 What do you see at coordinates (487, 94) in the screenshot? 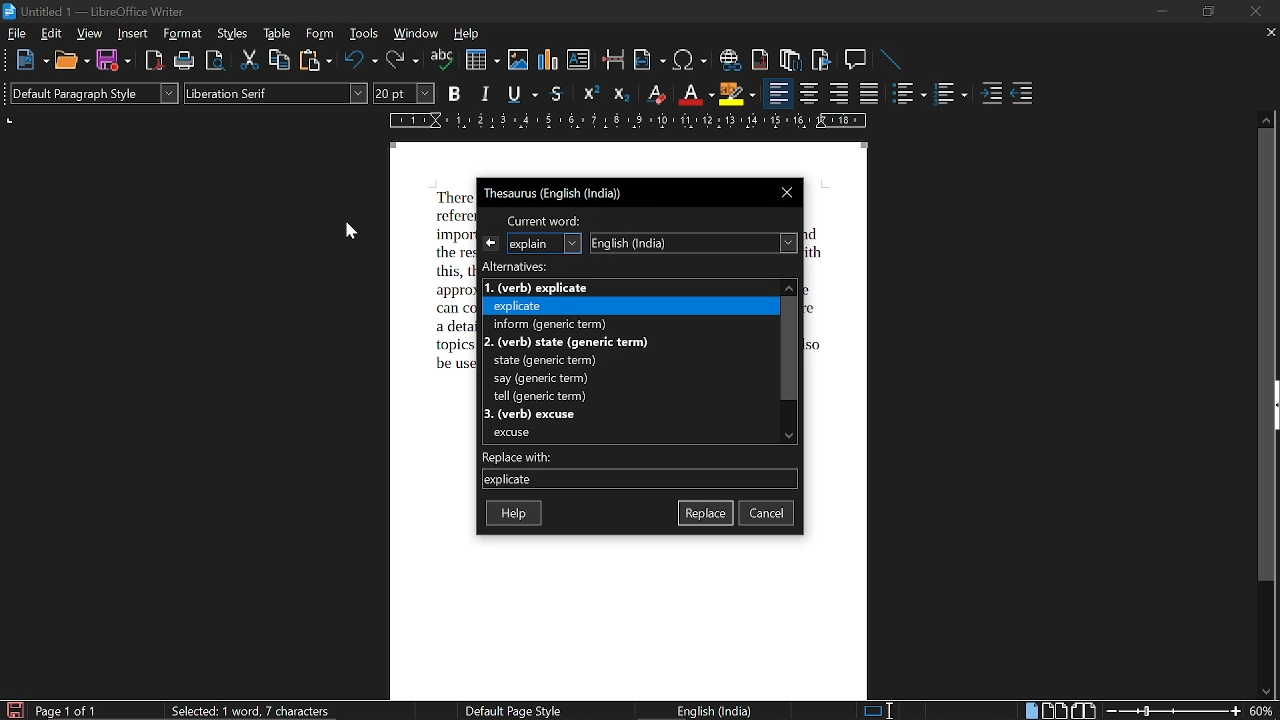
I see `italic` at bounding box center [487, 94].